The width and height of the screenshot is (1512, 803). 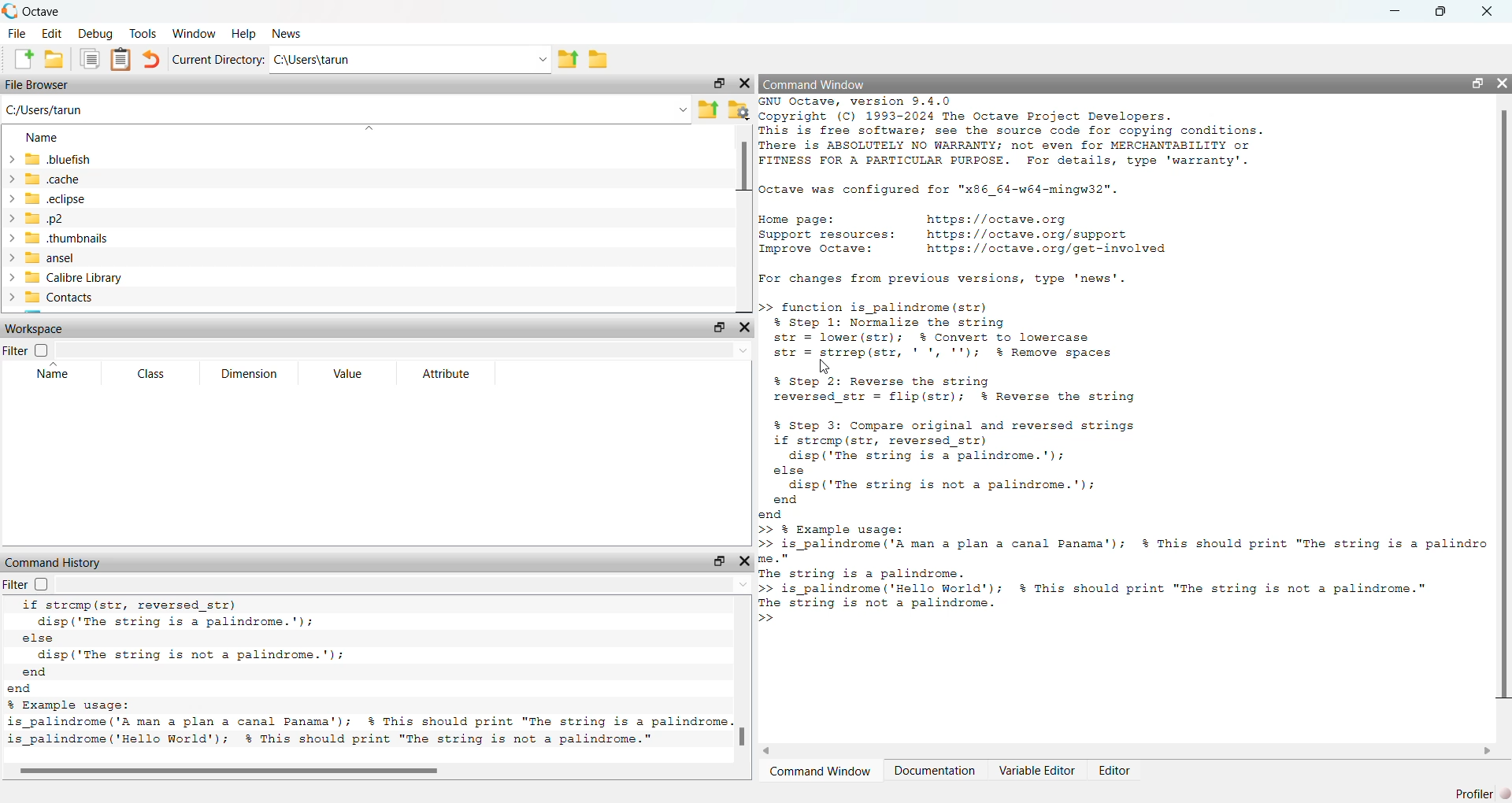 What do you see at coordinates (938, 770) in the screenshot?
I see `documentation` at bounding box center [938, 770].